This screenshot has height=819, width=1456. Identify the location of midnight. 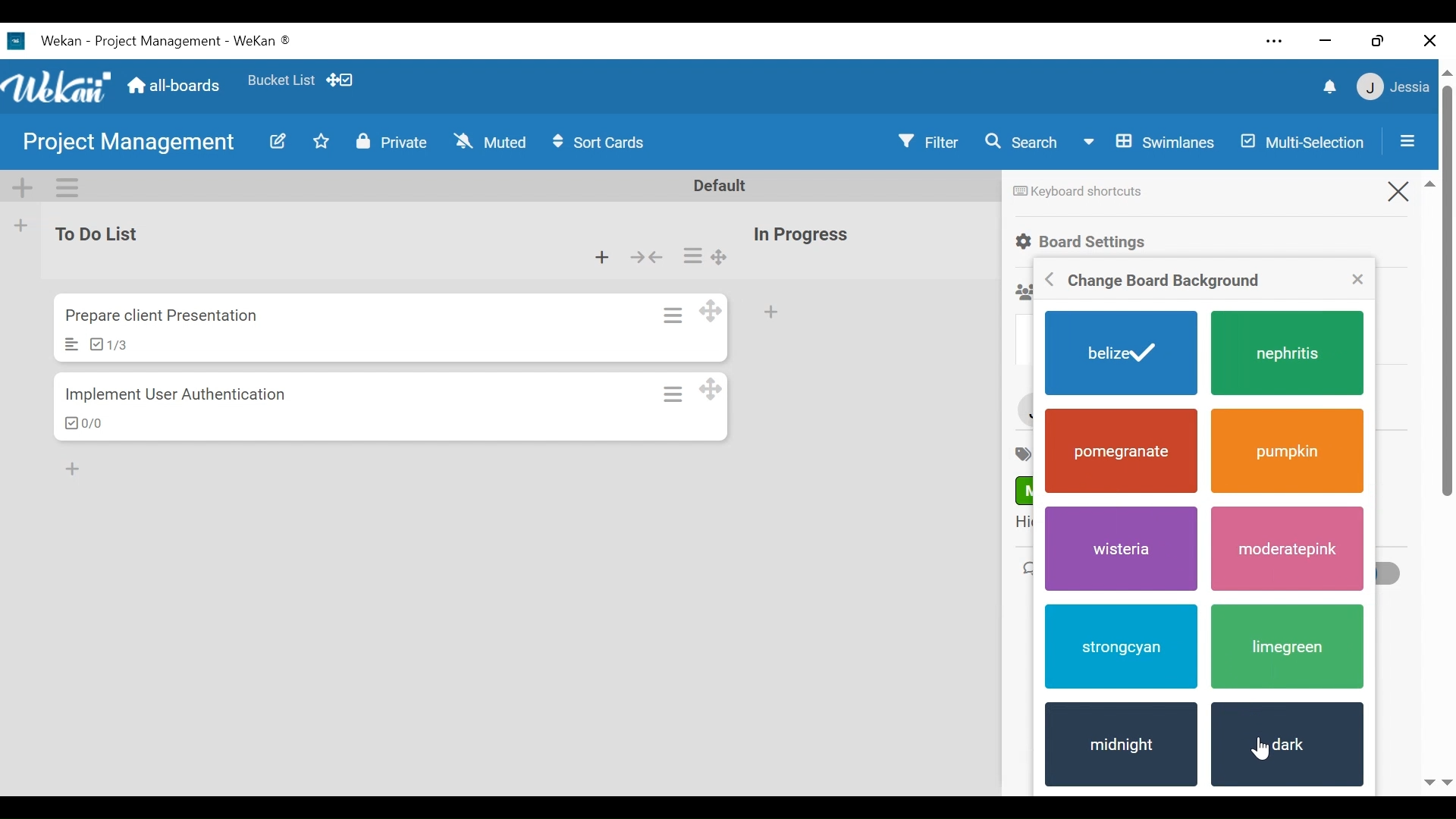
(1120, 746).